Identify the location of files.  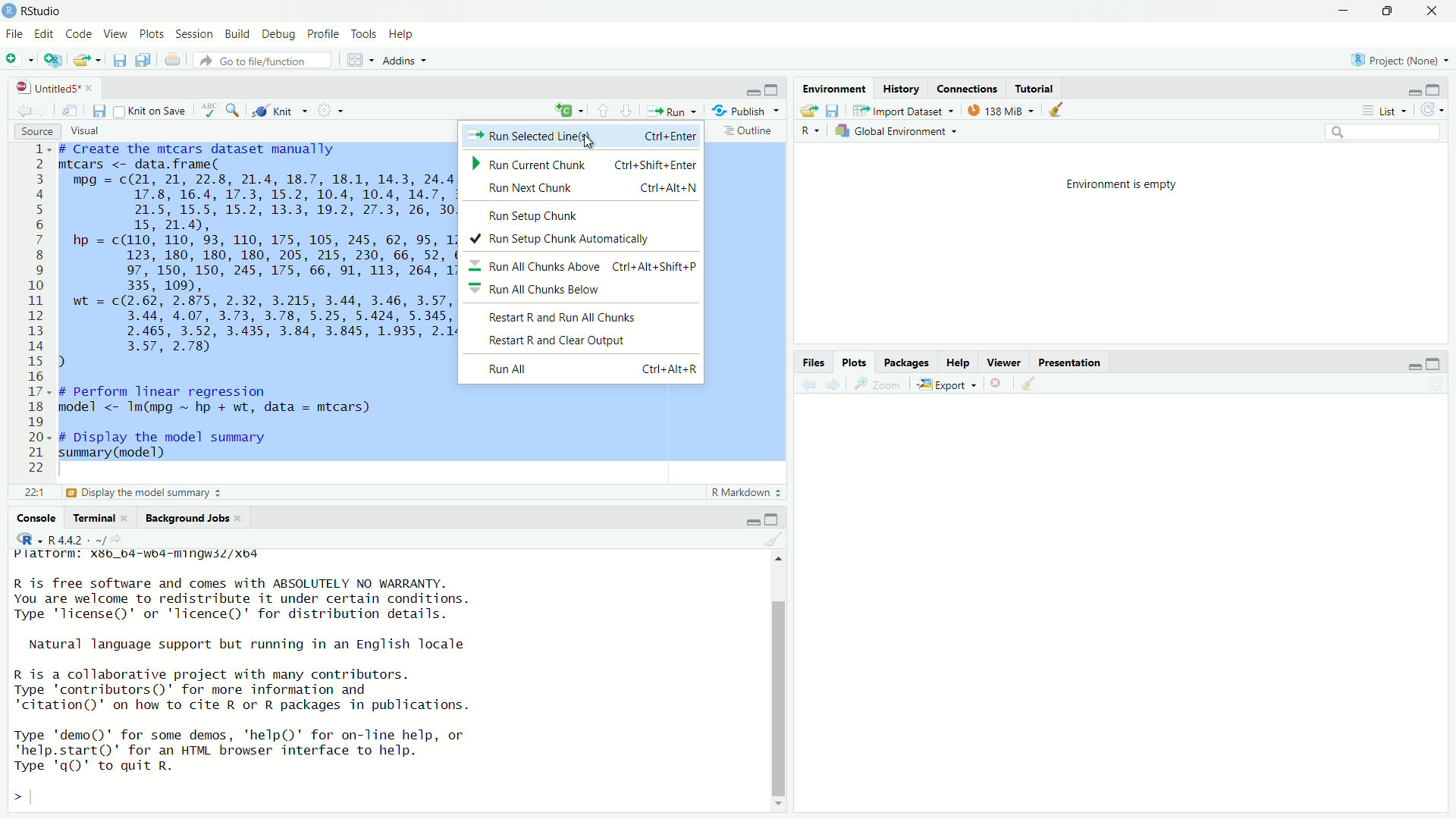
(814, 362).